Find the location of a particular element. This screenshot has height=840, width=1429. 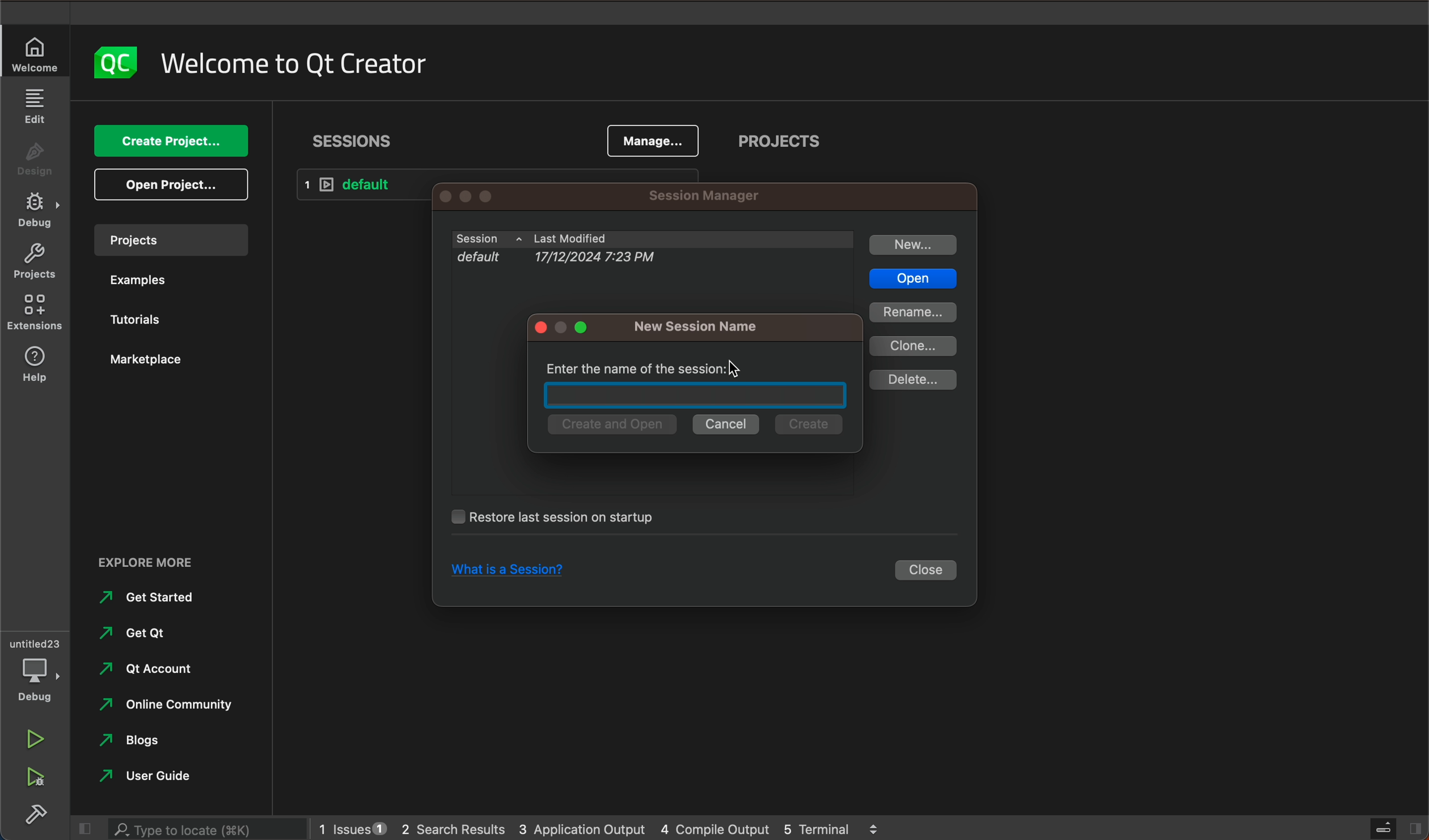

clone is located at coordinates (916, 346).